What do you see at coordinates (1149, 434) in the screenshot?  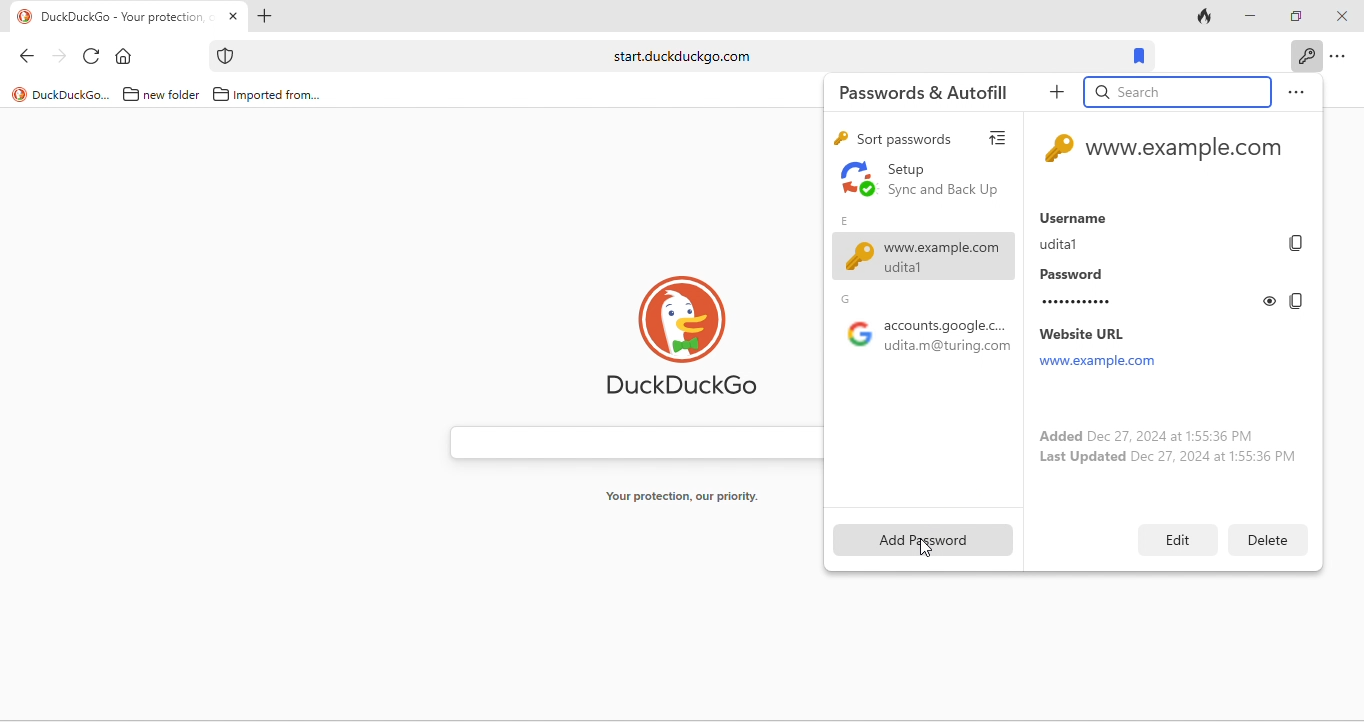 I see `added dec 27, 2024 at 1:55:36 pm` at bounding box center [1149, 434].